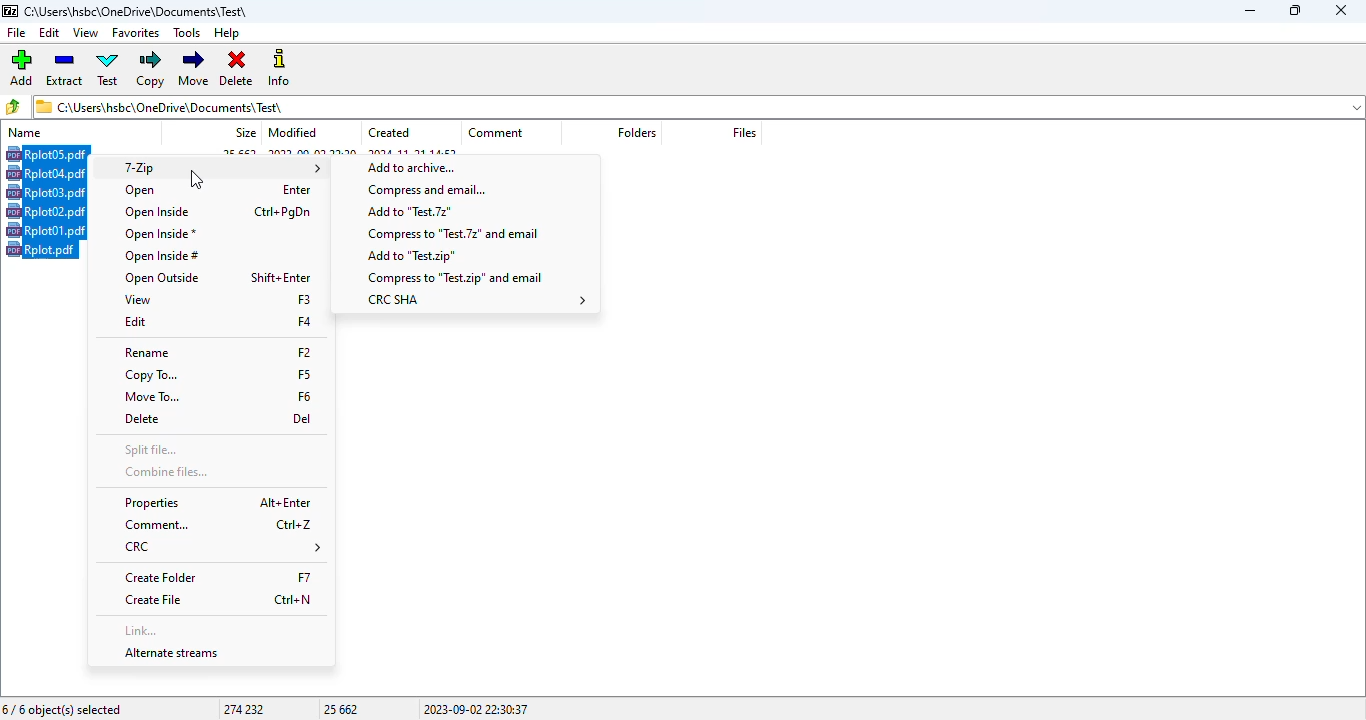  What do you see at coordinates (47, 230) in the screenshot?
I see `rplot01` at bounding box center [47, 230].